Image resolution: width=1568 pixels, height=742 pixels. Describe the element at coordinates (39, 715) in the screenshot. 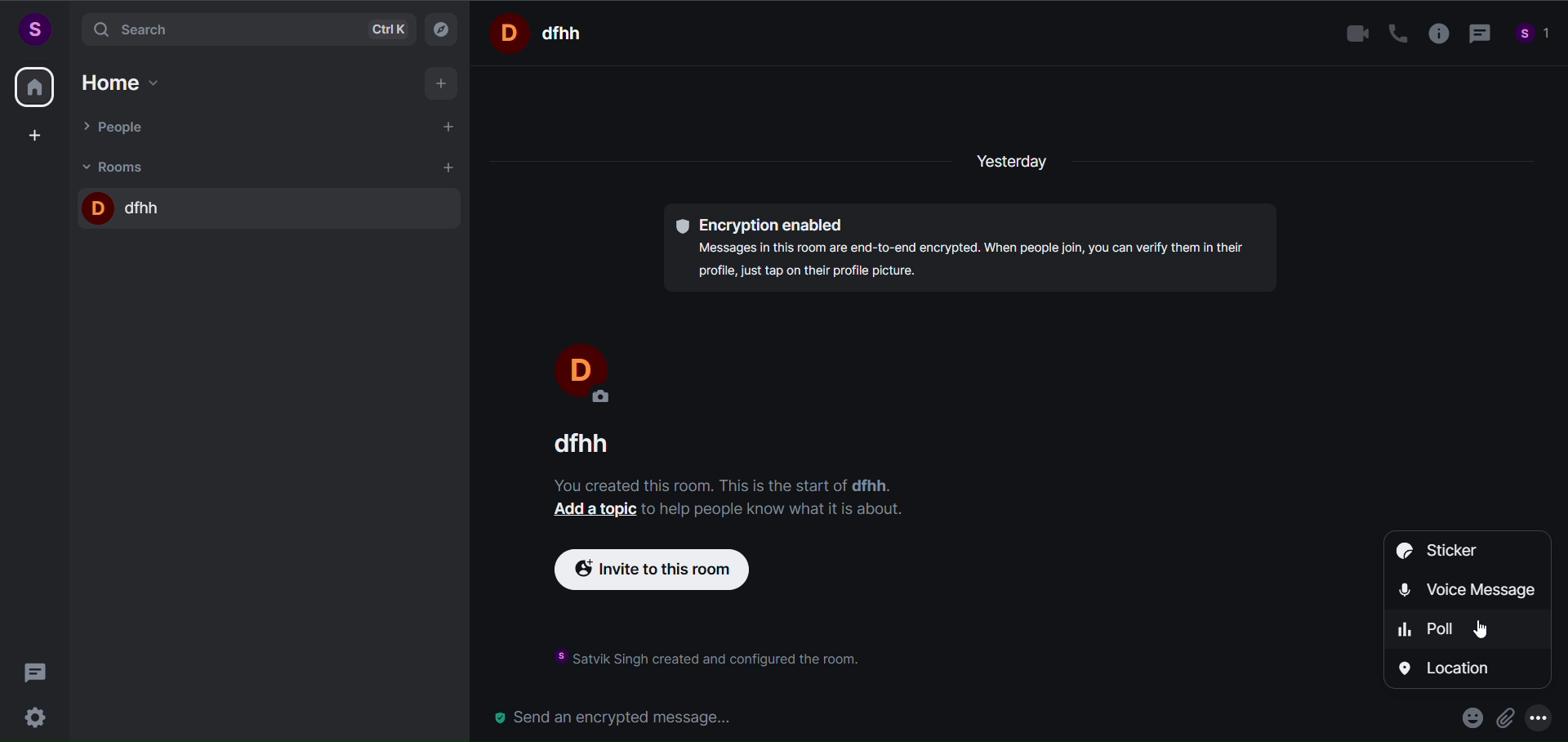

I see `settings` at that location.